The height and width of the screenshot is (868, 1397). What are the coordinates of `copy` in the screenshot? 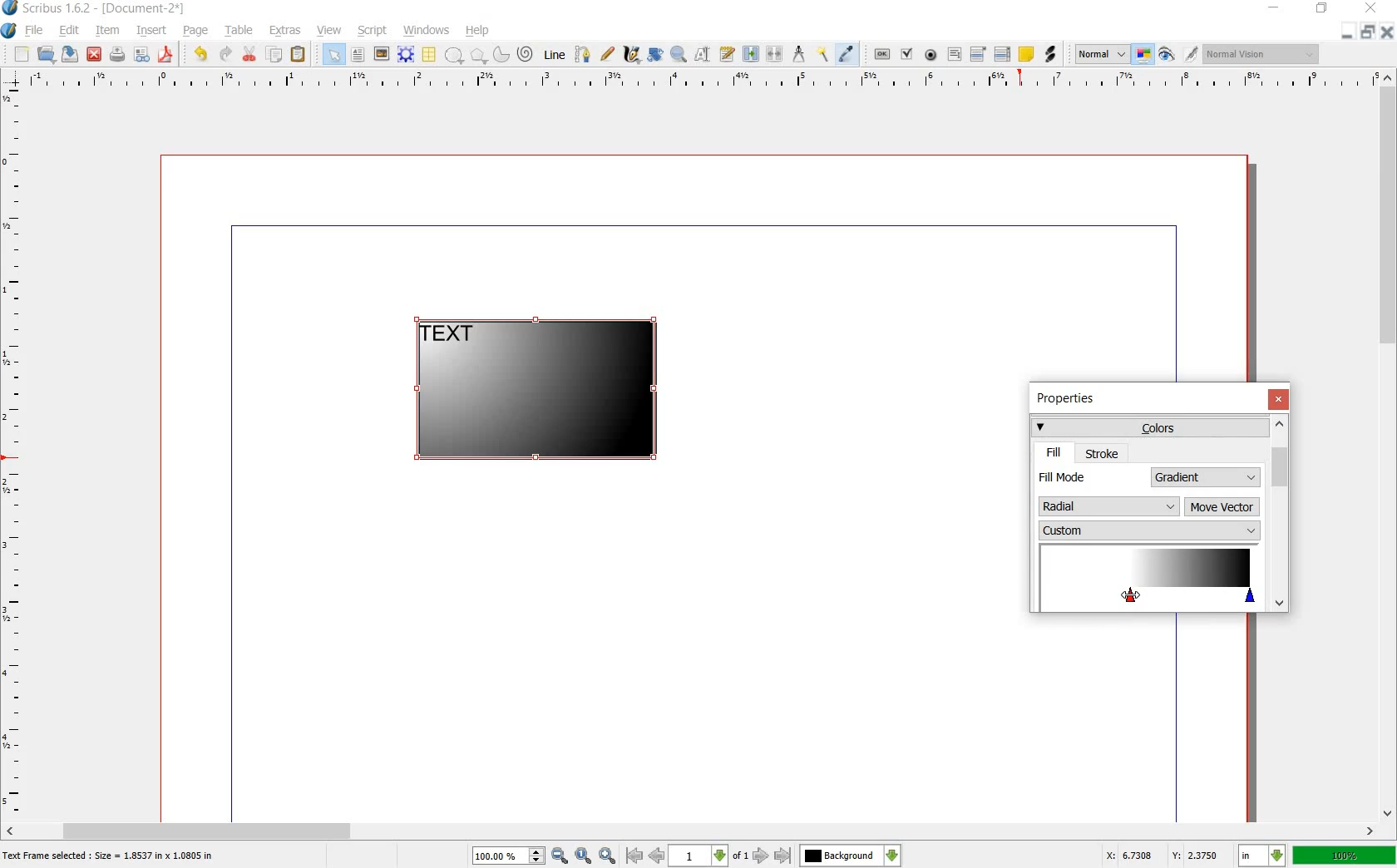 It's located at (275, 55).